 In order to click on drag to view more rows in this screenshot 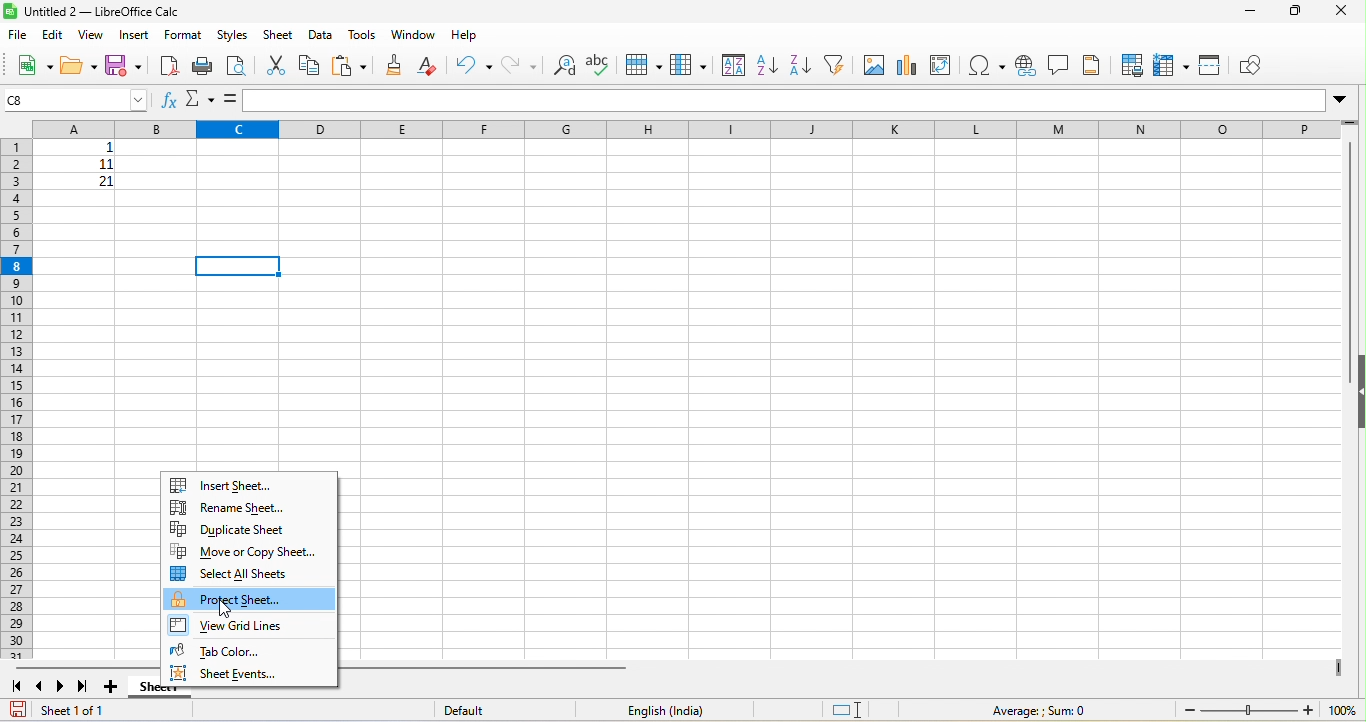, I will do `click(1351, 125)`.